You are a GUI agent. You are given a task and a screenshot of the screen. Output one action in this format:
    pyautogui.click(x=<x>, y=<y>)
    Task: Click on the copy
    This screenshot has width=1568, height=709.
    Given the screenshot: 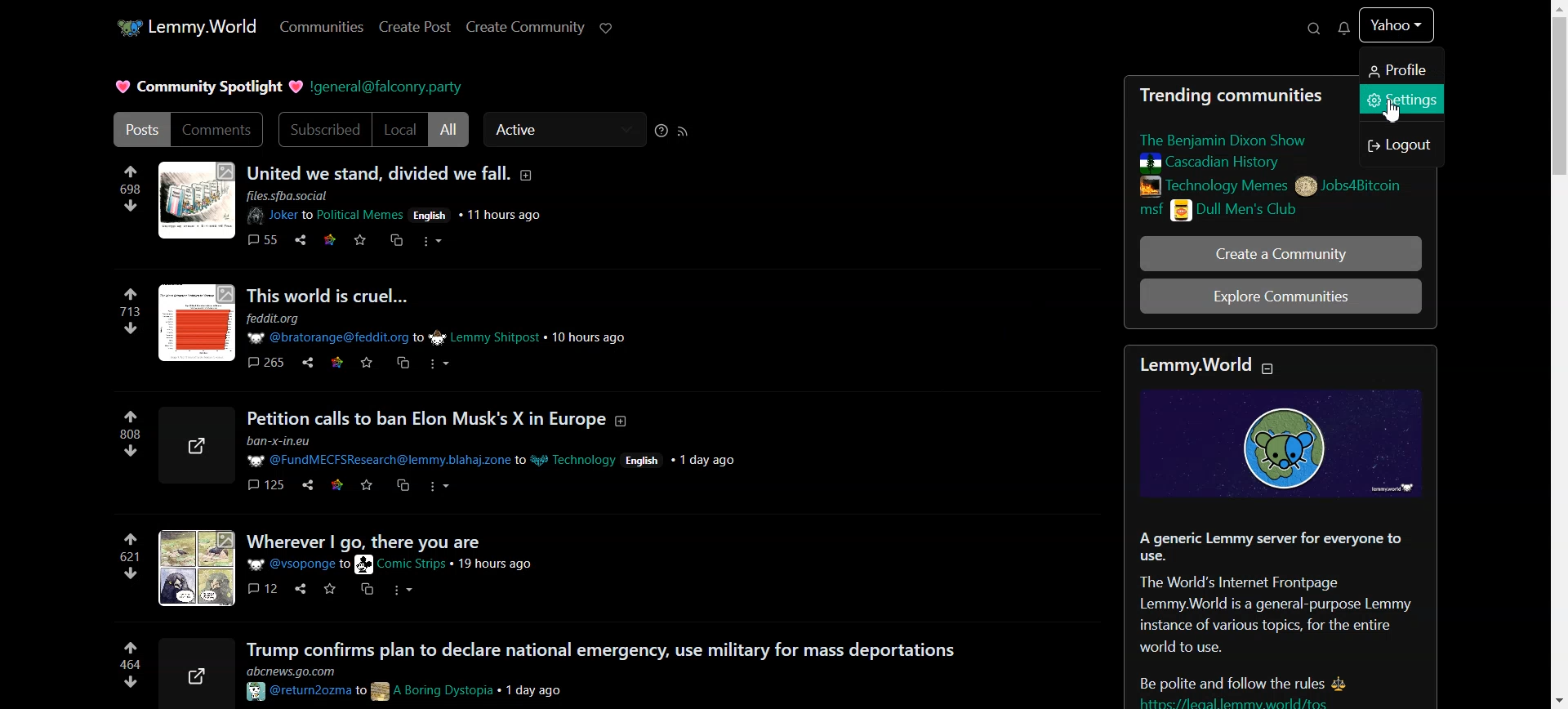 What is the action you would take?
    pyautogui.click(x=403, y=365)
    